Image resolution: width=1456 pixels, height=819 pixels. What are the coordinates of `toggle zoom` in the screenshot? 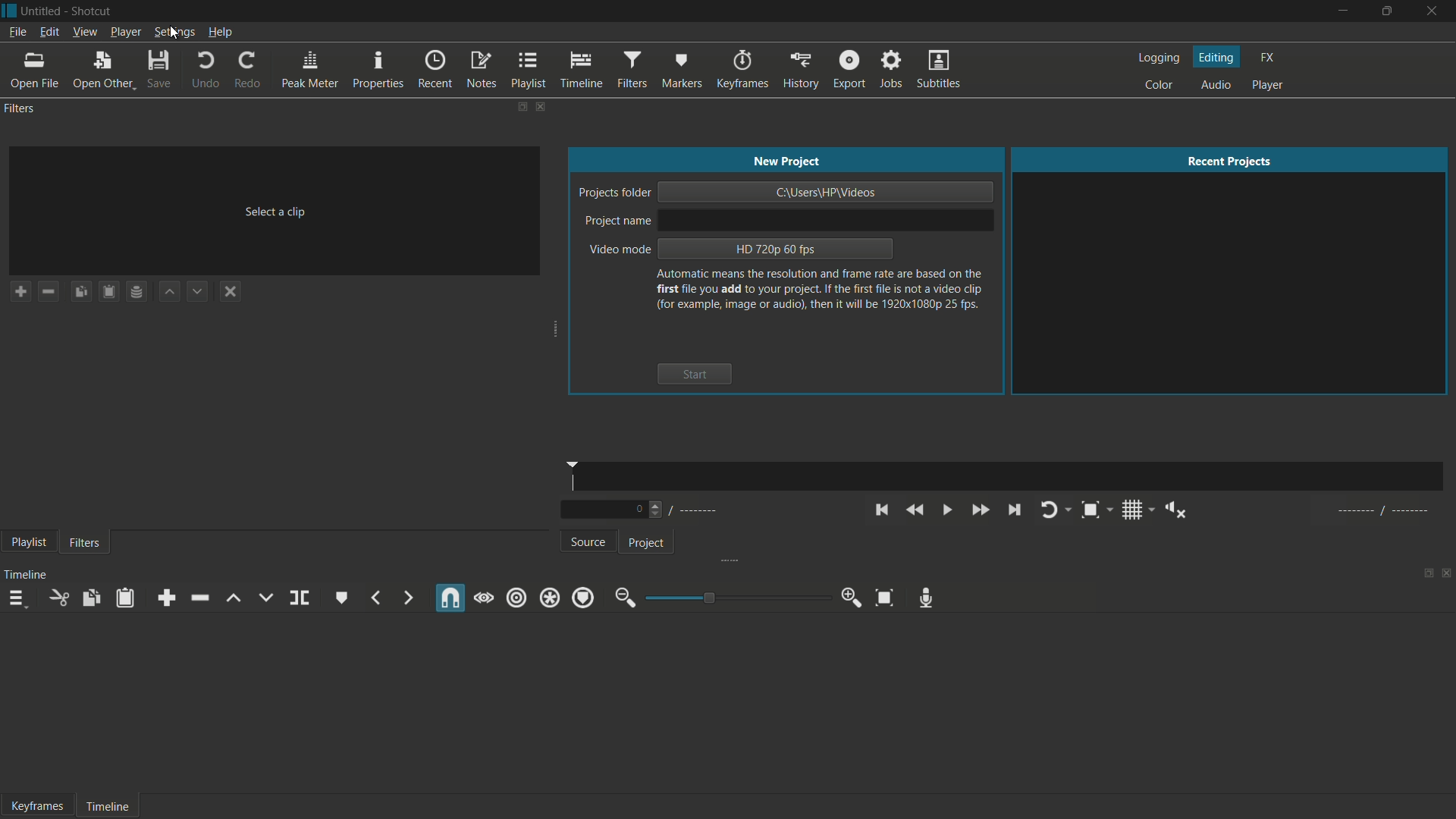 It's located at (1095, 510).